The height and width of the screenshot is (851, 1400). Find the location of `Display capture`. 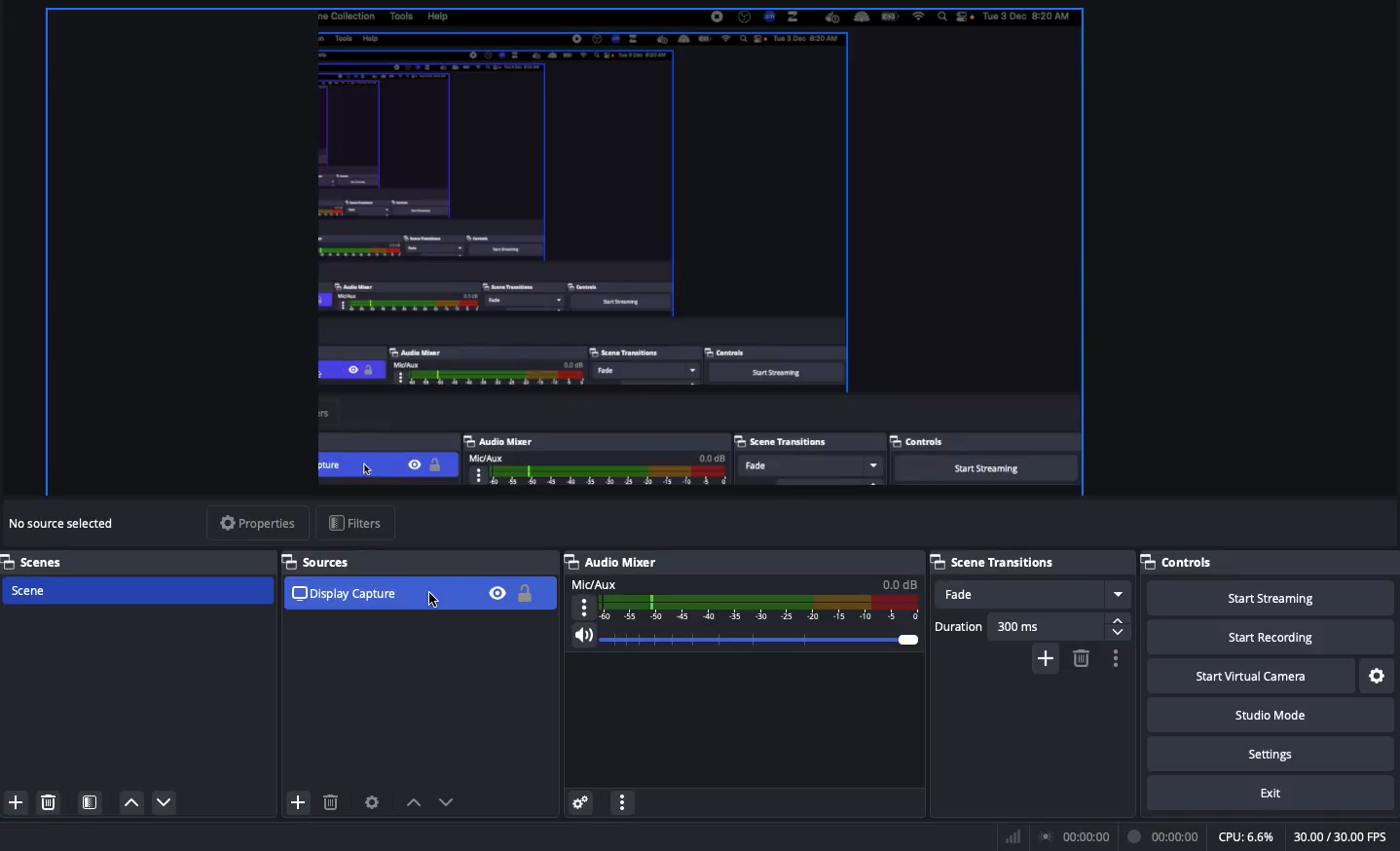

Display capture is located at coordinates (350, 595).